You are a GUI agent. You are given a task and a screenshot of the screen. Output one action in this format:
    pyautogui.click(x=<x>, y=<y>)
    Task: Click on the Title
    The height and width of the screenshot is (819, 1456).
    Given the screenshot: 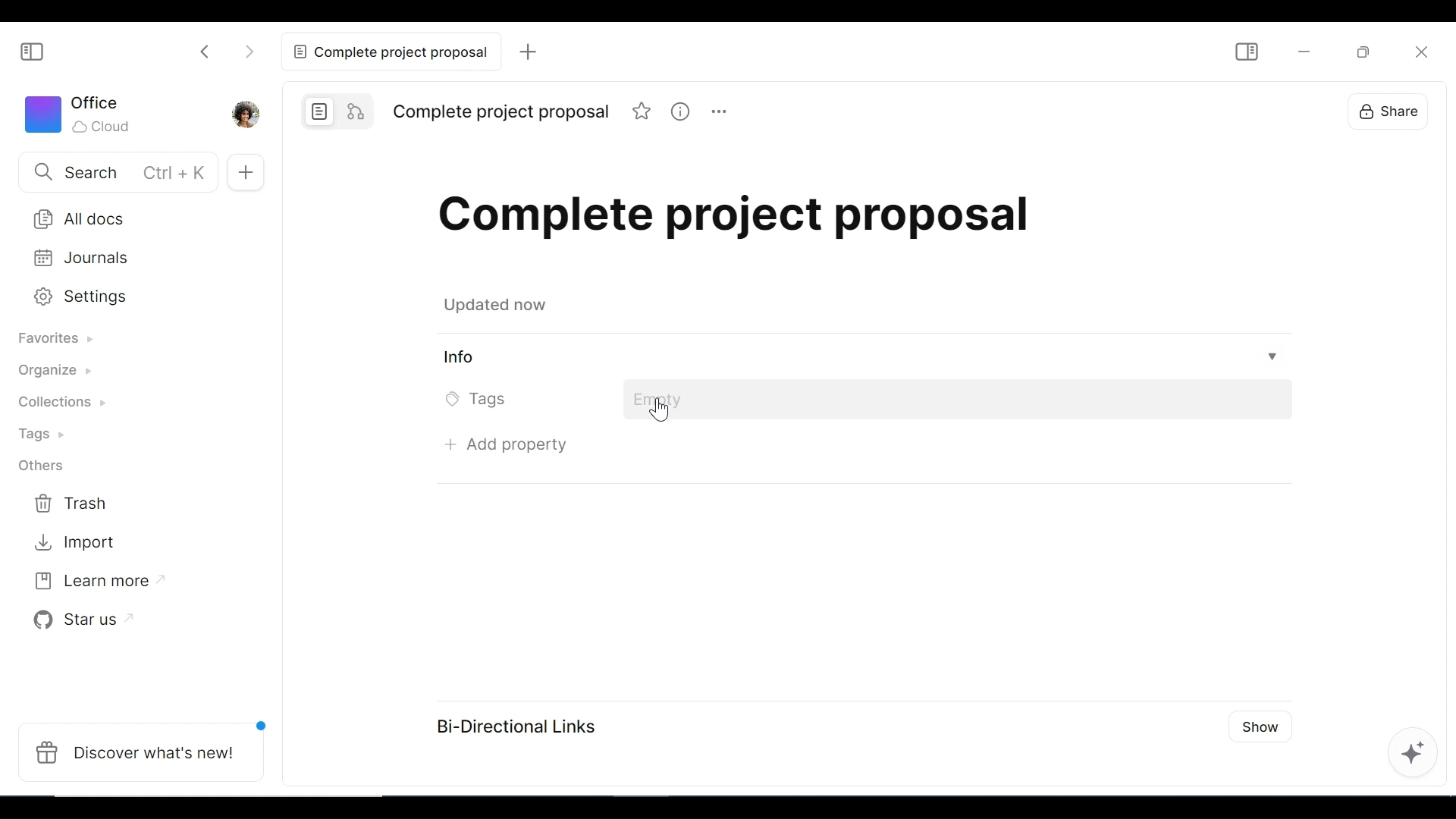 What is the action you would take?
    pyautogui.click(x=736, y=214)
    